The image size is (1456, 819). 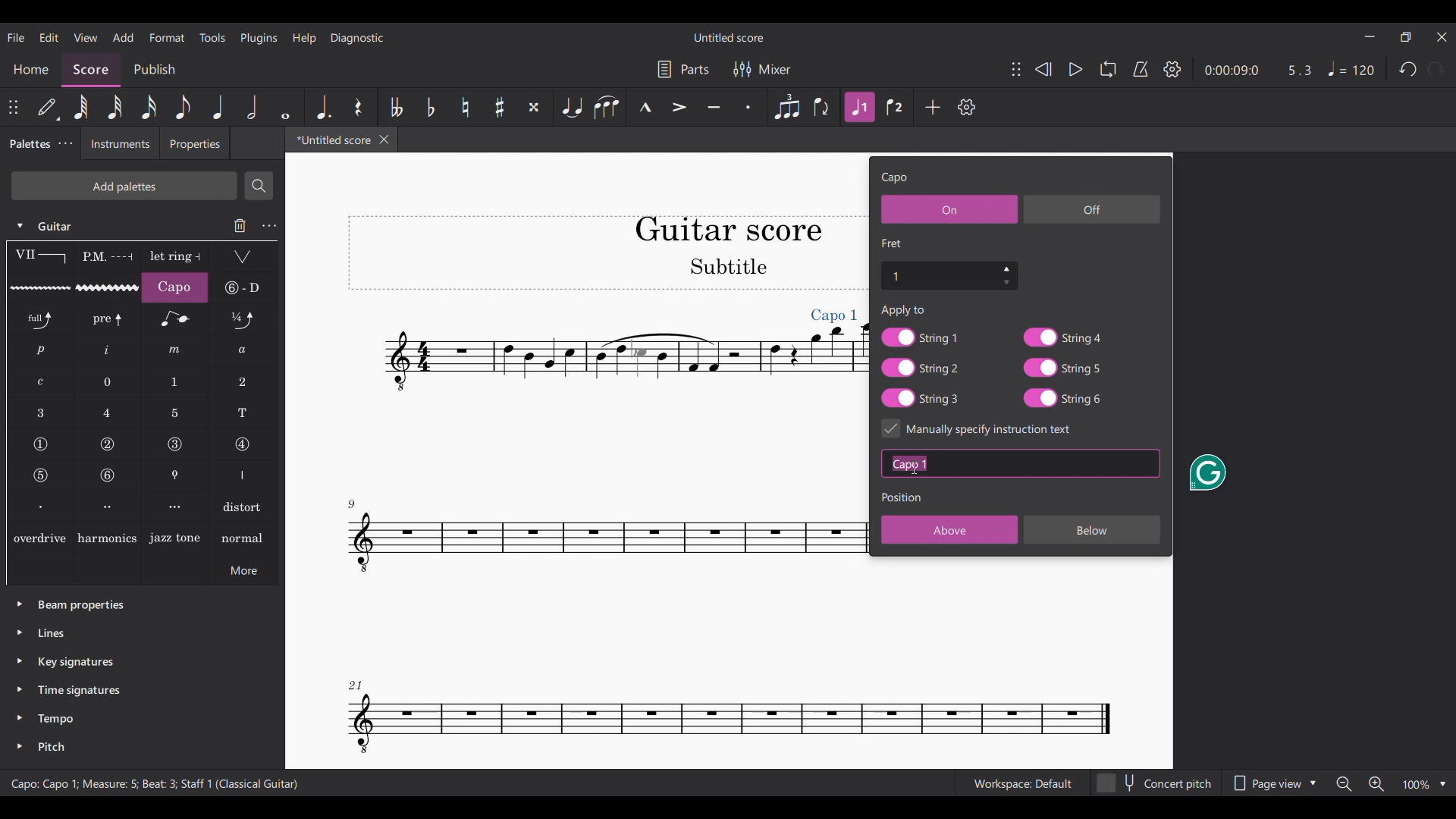 I want to click on Right hand fingering, first finger, so click(x=39, y=506).